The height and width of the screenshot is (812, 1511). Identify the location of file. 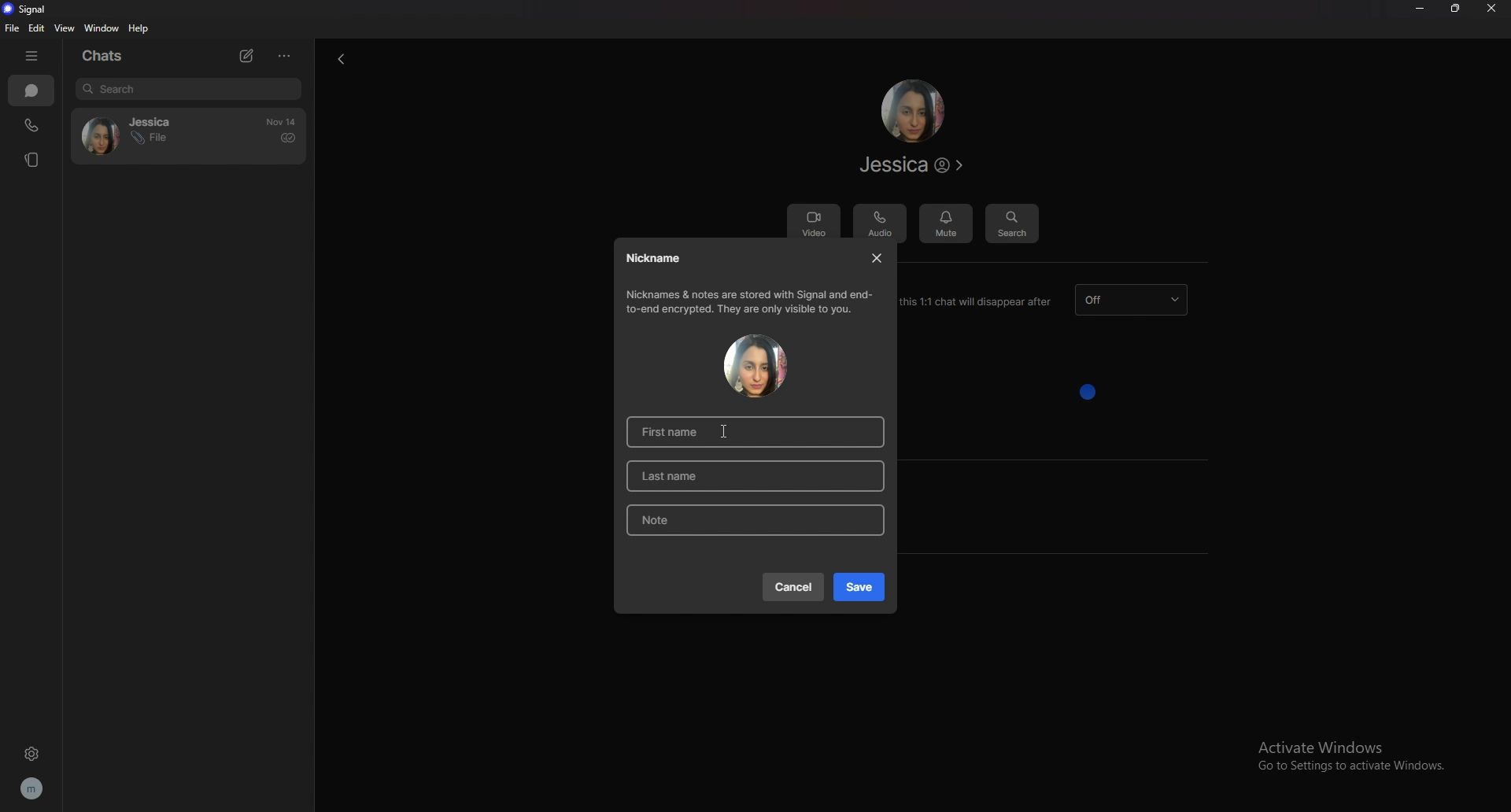
(13, 28).